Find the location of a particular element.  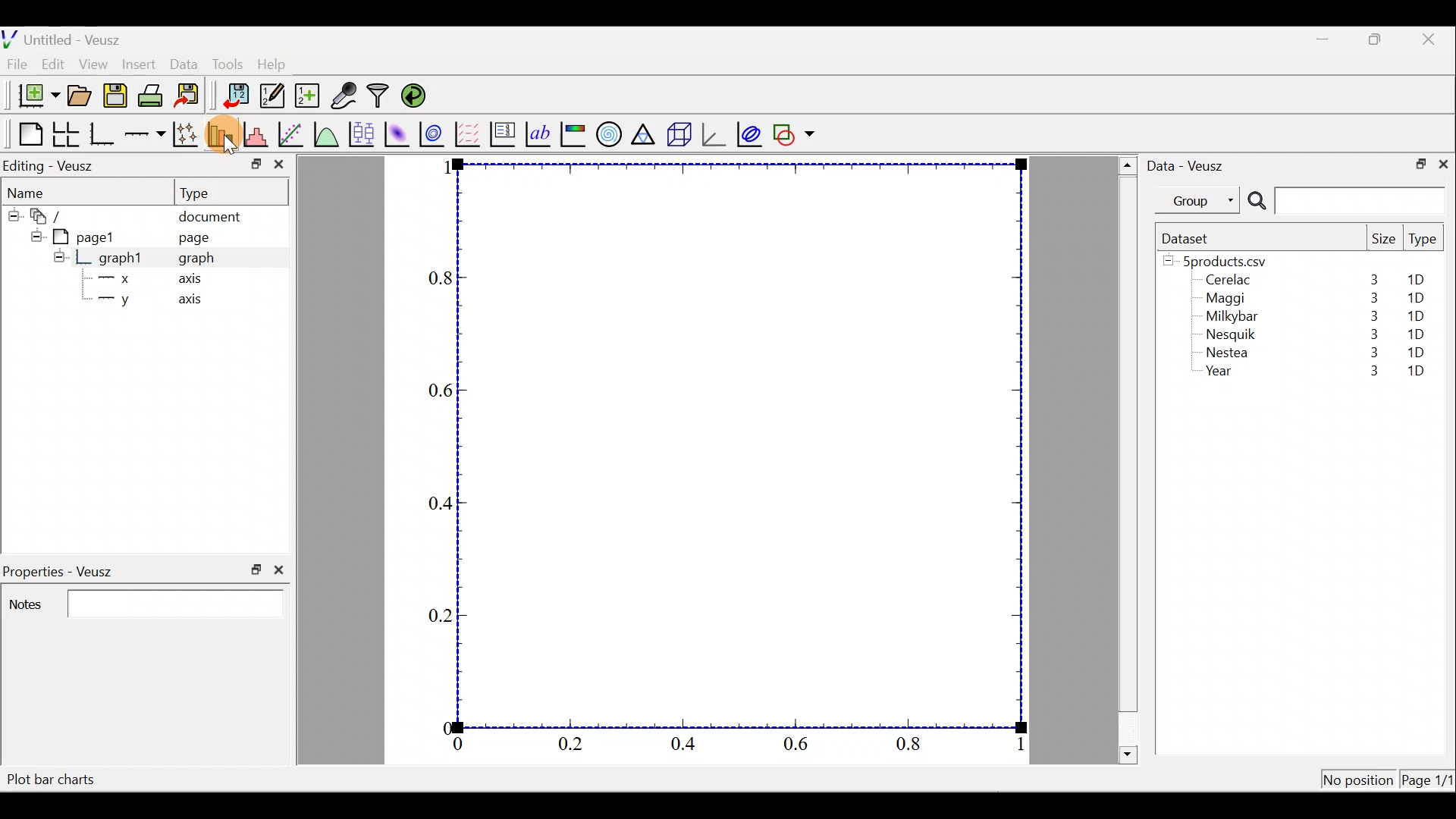

Fit a function to data is located at coordinates (292, 133).